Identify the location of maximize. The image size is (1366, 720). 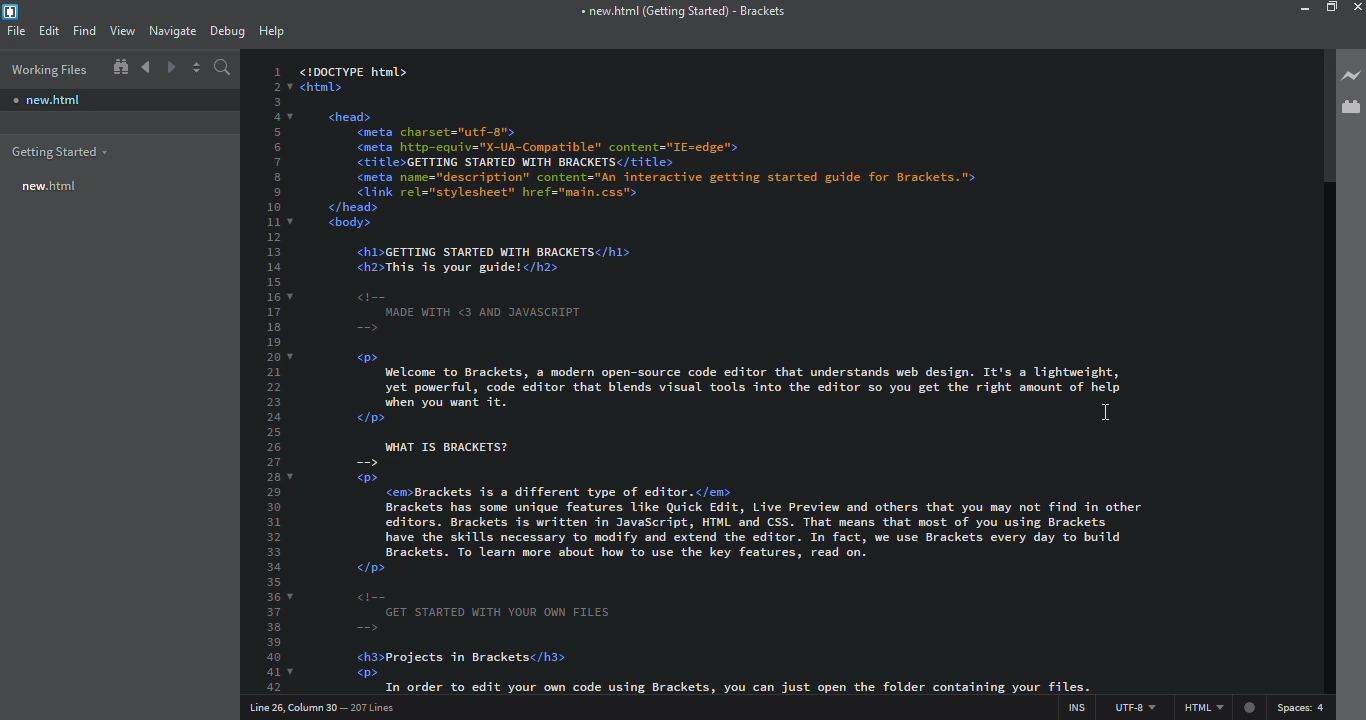
(1332, 8).